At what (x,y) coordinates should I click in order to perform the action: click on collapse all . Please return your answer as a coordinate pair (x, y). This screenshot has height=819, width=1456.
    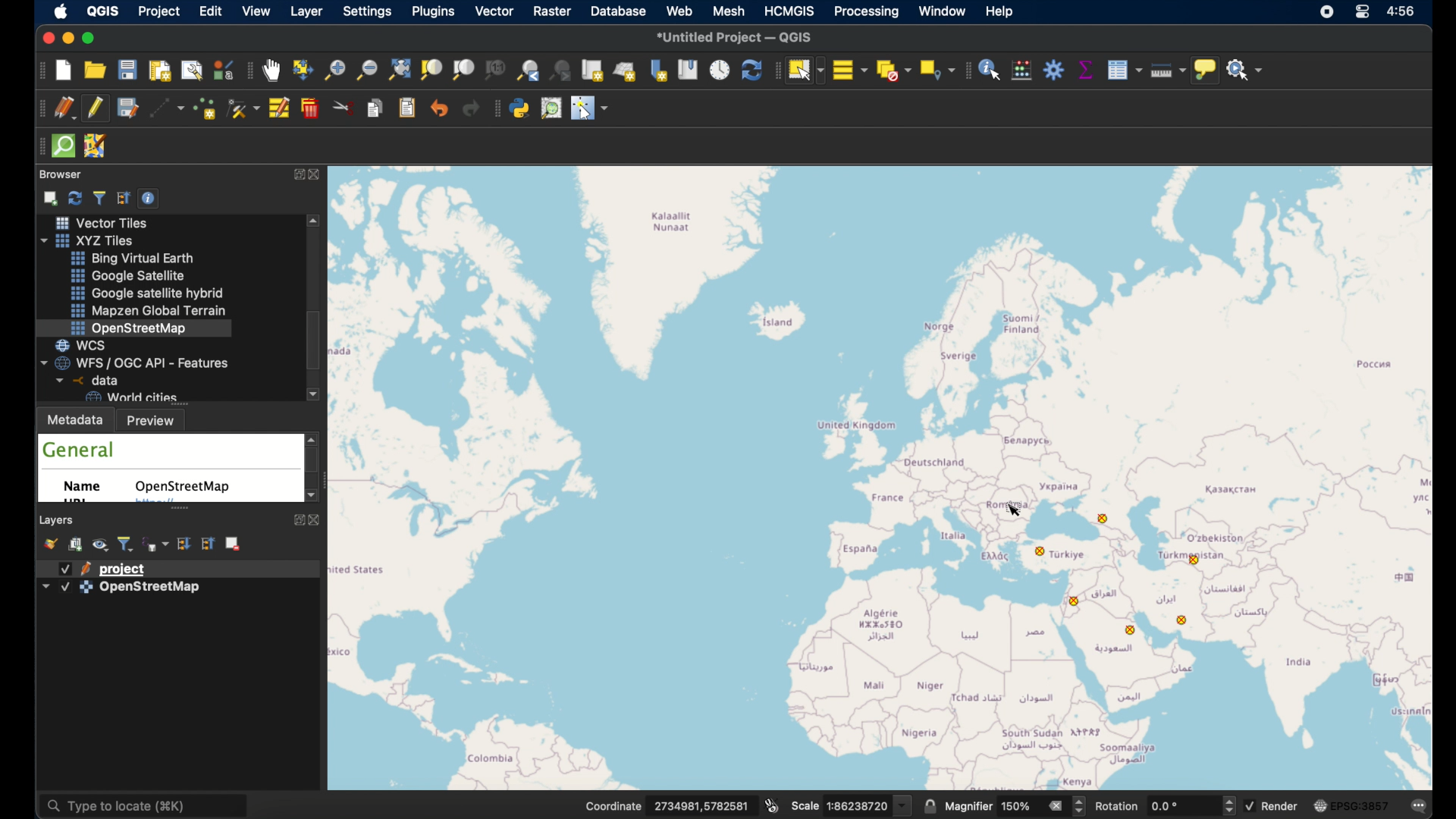
    Looking at the image, I should click on (124, 196).